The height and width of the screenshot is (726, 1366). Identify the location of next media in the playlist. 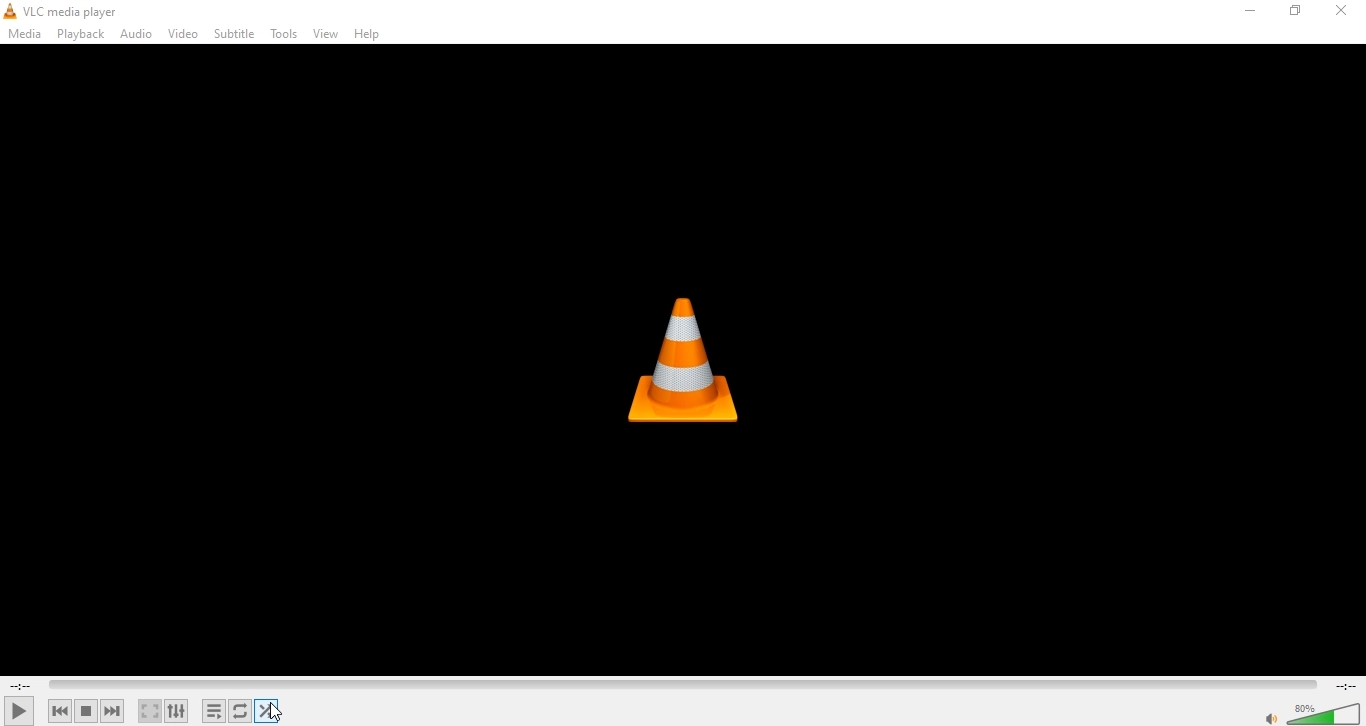
(114, 711).